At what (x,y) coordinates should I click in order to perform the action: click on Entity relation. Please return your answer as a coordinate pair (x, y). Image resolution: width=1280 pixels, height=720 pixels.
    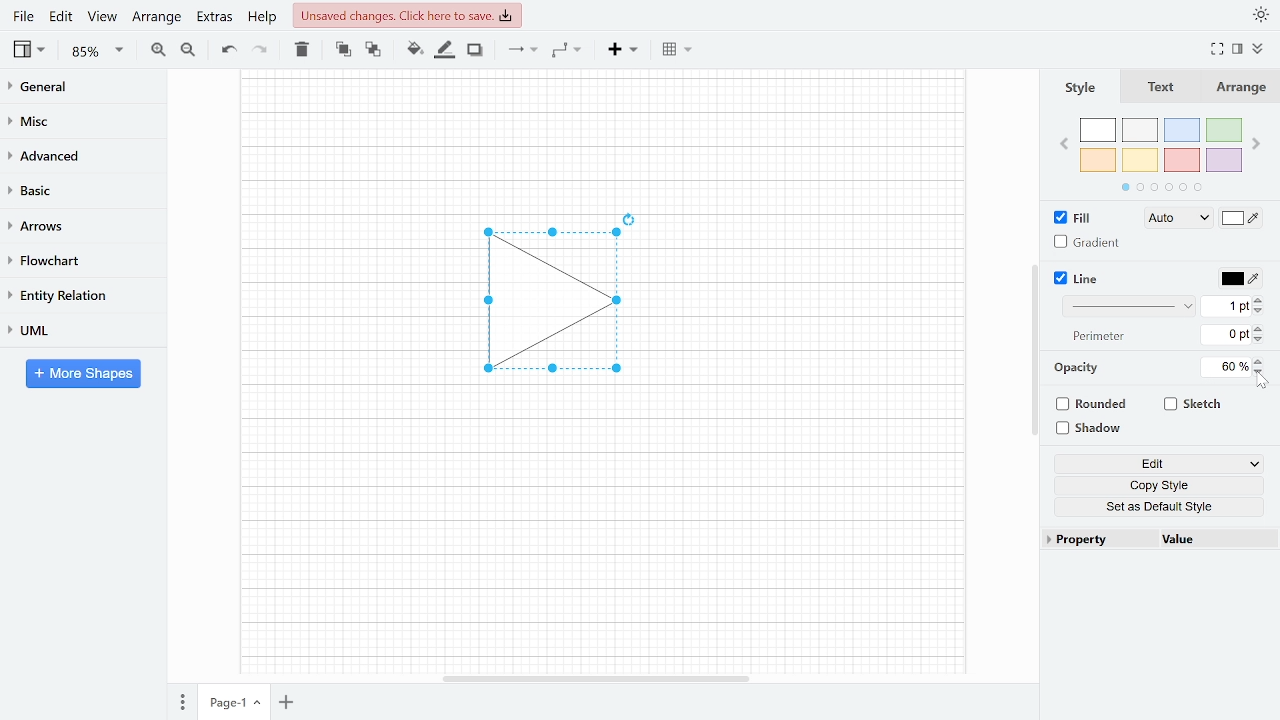
    Looking at the image, I should click on (75, 295).